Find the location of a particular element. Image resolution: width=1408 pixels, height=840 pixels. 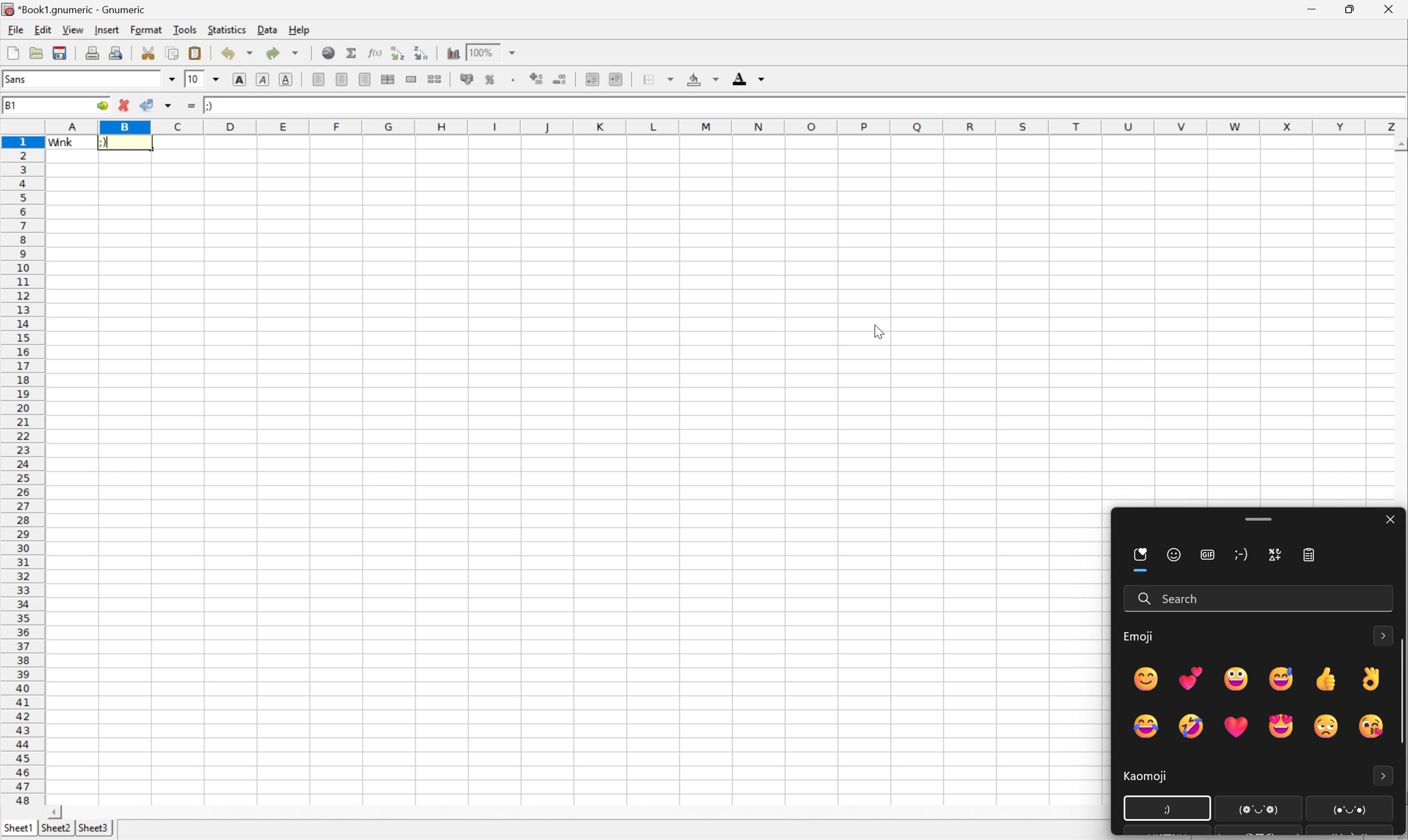

scollbar is located at coordinates (1399, 695).